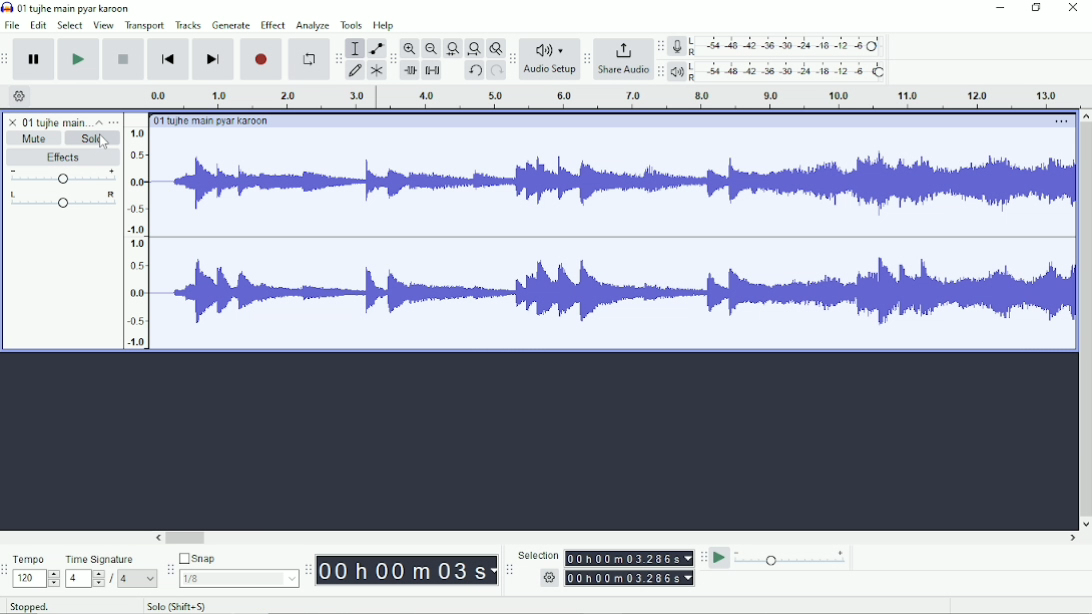 Image resolution: width=1092 pixels, height=614 pixels. Describe the element at coordinates (540, 554) in the screenshot. I see `` at that location.